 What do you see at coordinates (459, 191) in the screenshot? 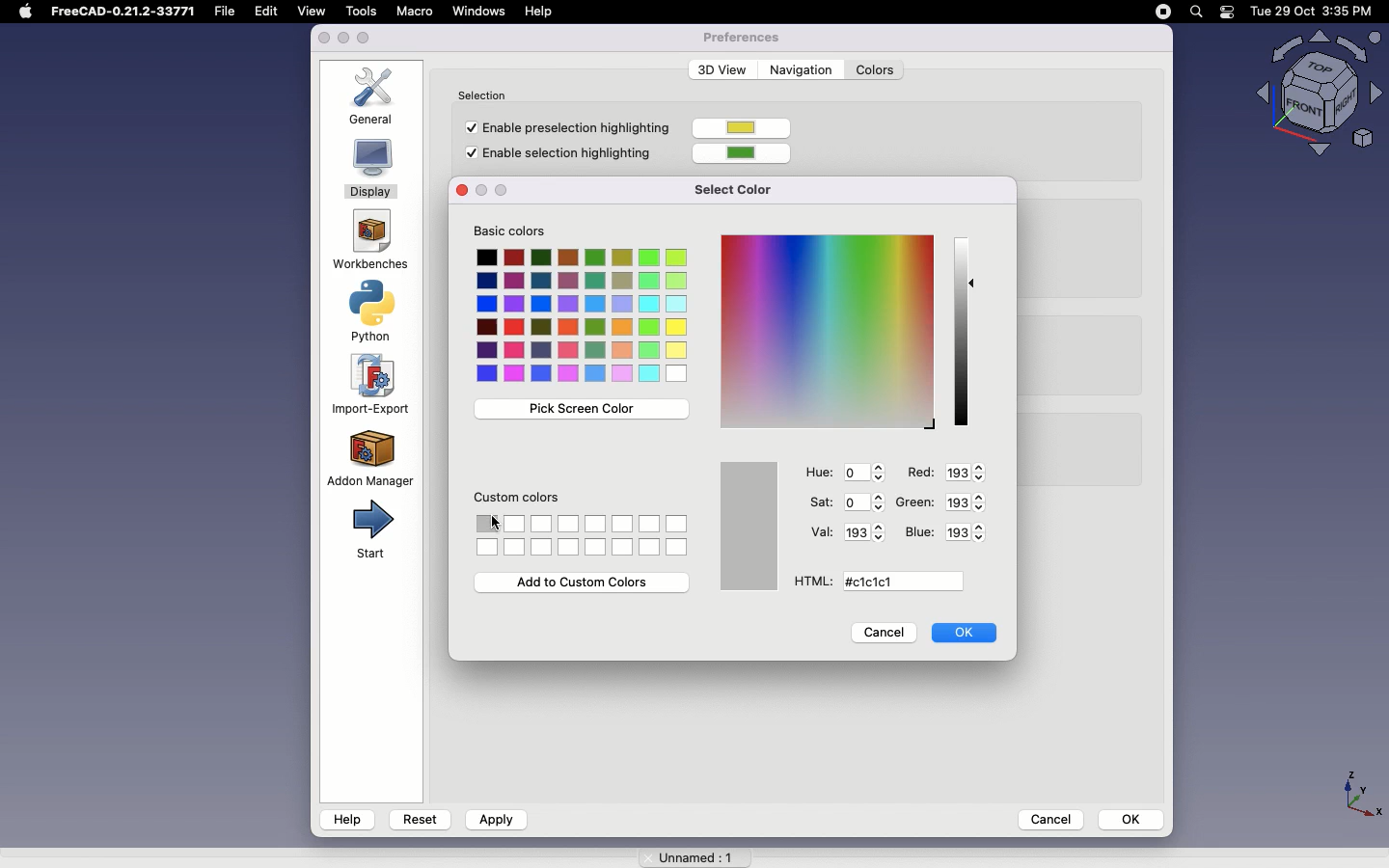
I see `Close` at bounding box center [459, 191].